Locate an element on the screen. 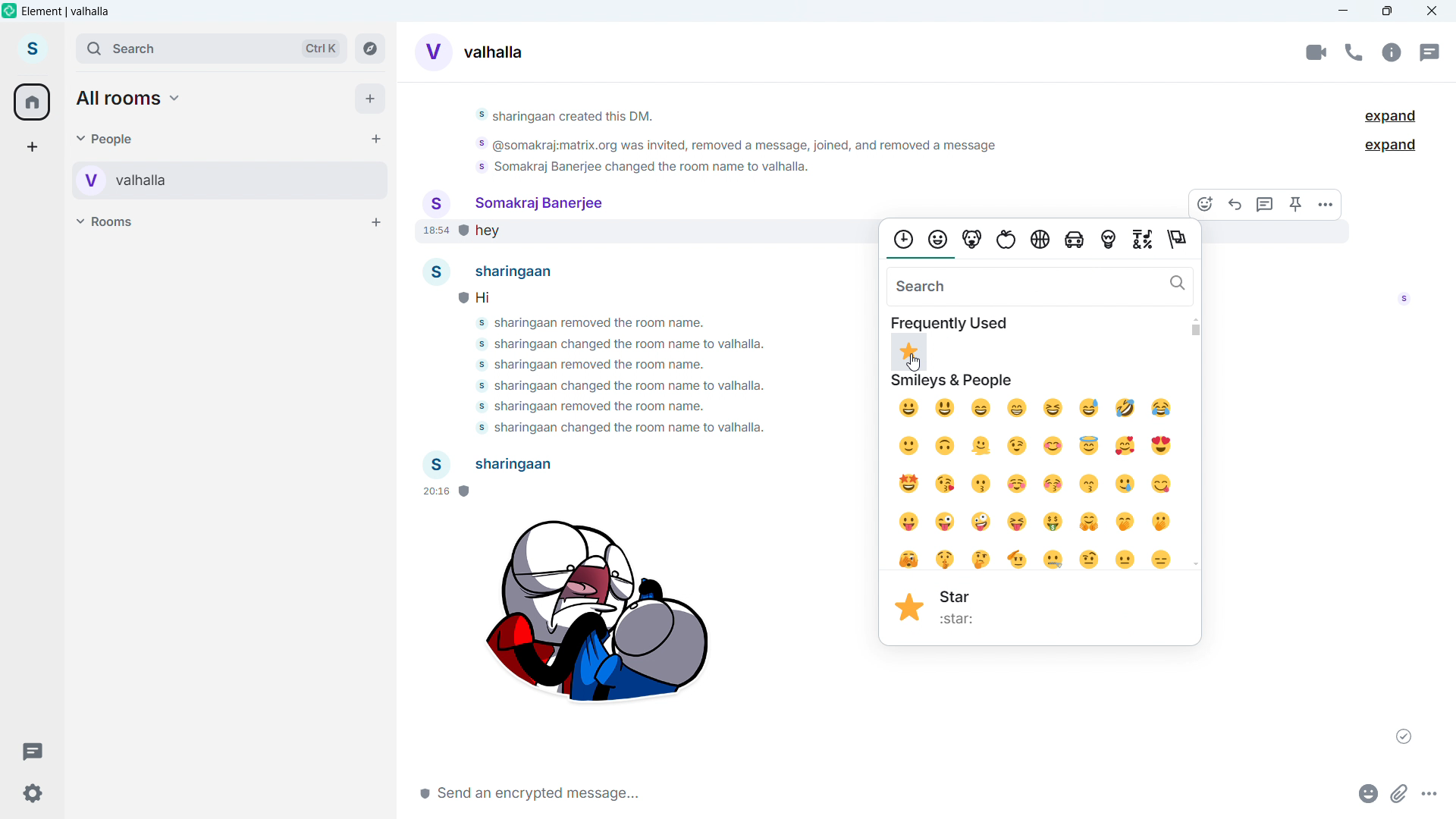 The height and width of the screenshot is (819, 1456). smiling face with smiling eyes is located at coordinates (1059, 447).